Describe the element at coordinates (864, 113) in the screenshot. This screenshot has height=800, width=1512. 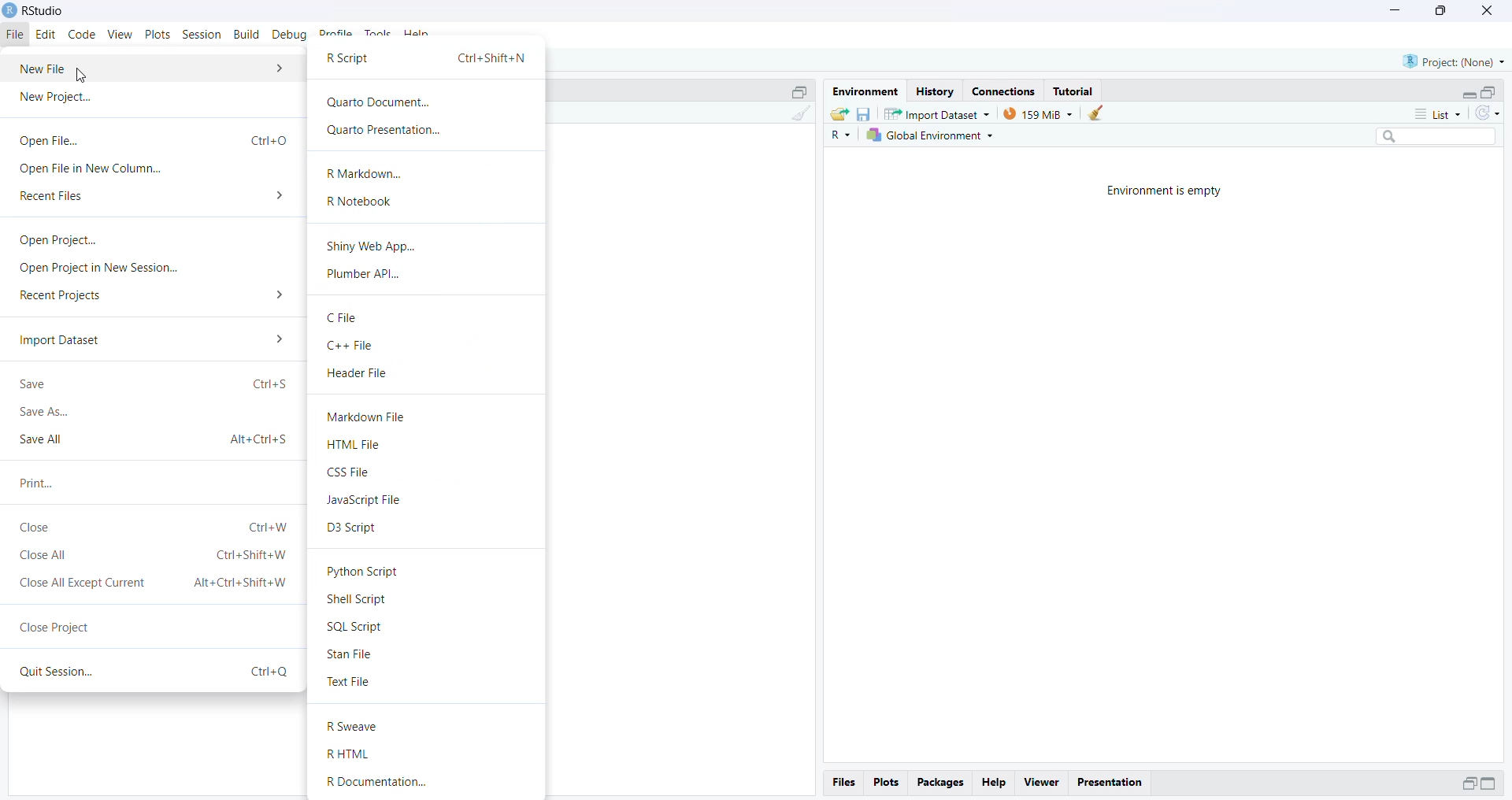
I see `save workspace` at that location.